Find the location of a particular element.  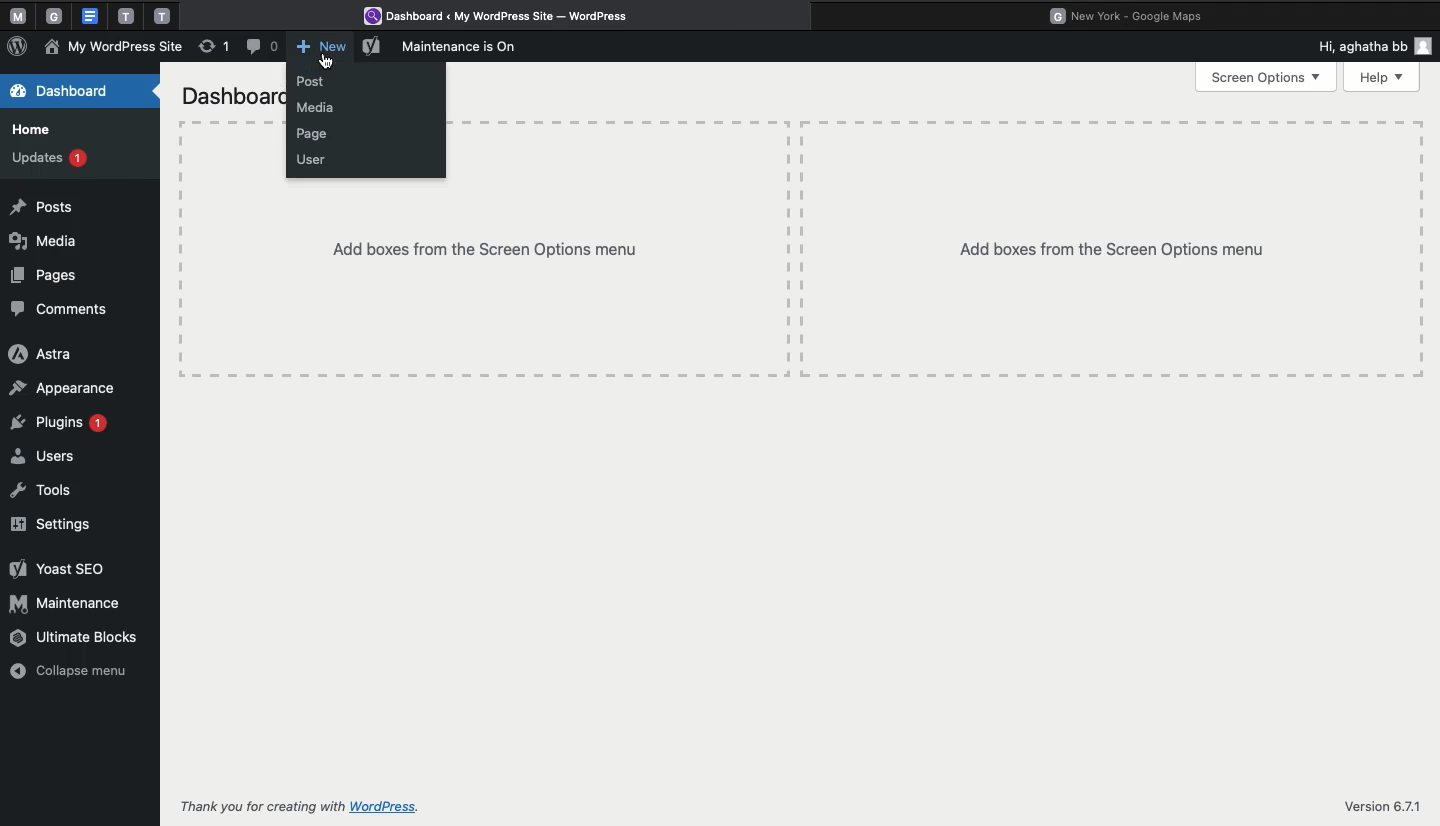

google doc is located at coordinates (89, 15).